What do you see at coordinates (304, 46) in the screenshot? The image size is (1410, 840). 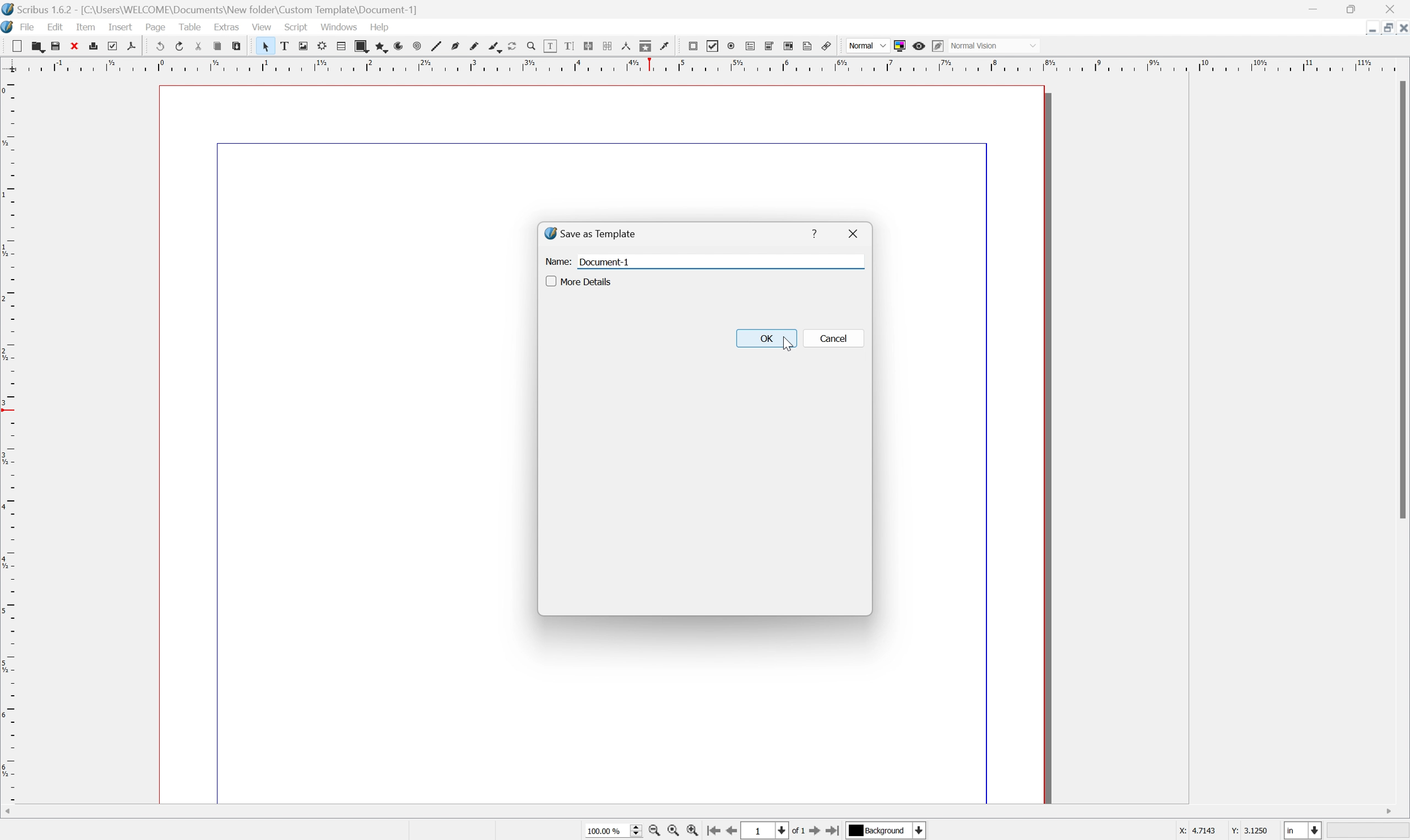 I see `image frame` at bounding box center [304, 46].